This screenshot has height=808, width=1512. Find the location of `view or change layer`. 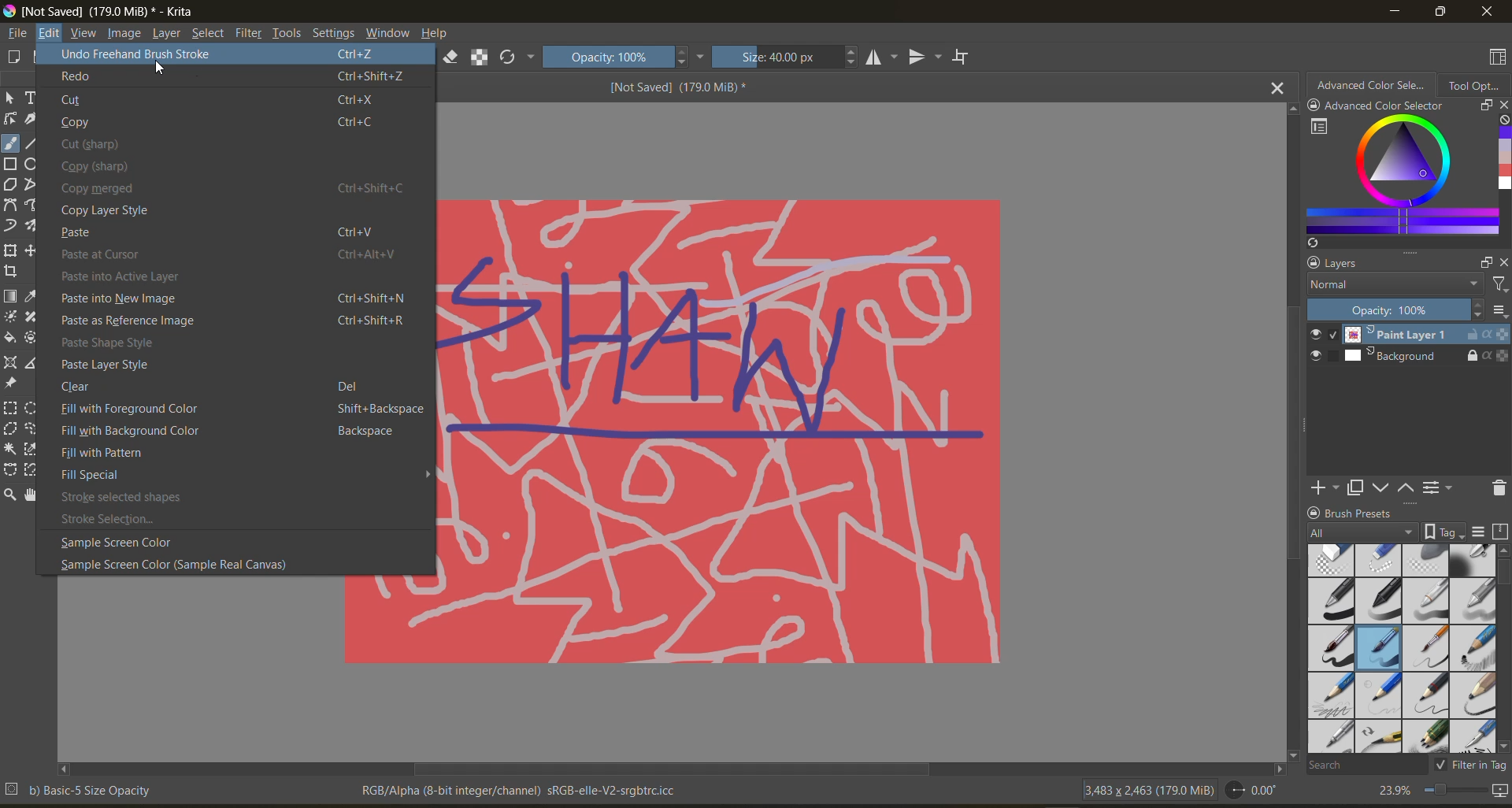

view or change layer is located at coordinates (1440, 487).